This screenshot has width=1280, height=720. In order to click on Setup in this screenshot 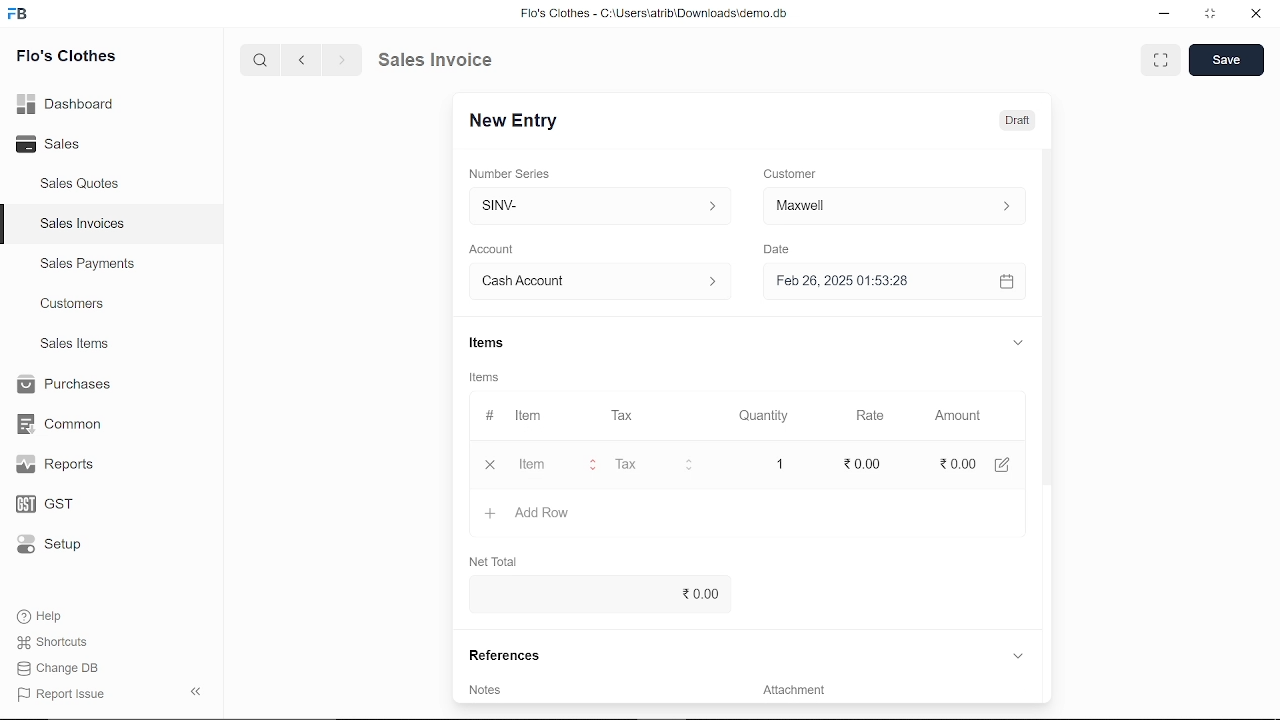, I will do `click(63, 546)`.